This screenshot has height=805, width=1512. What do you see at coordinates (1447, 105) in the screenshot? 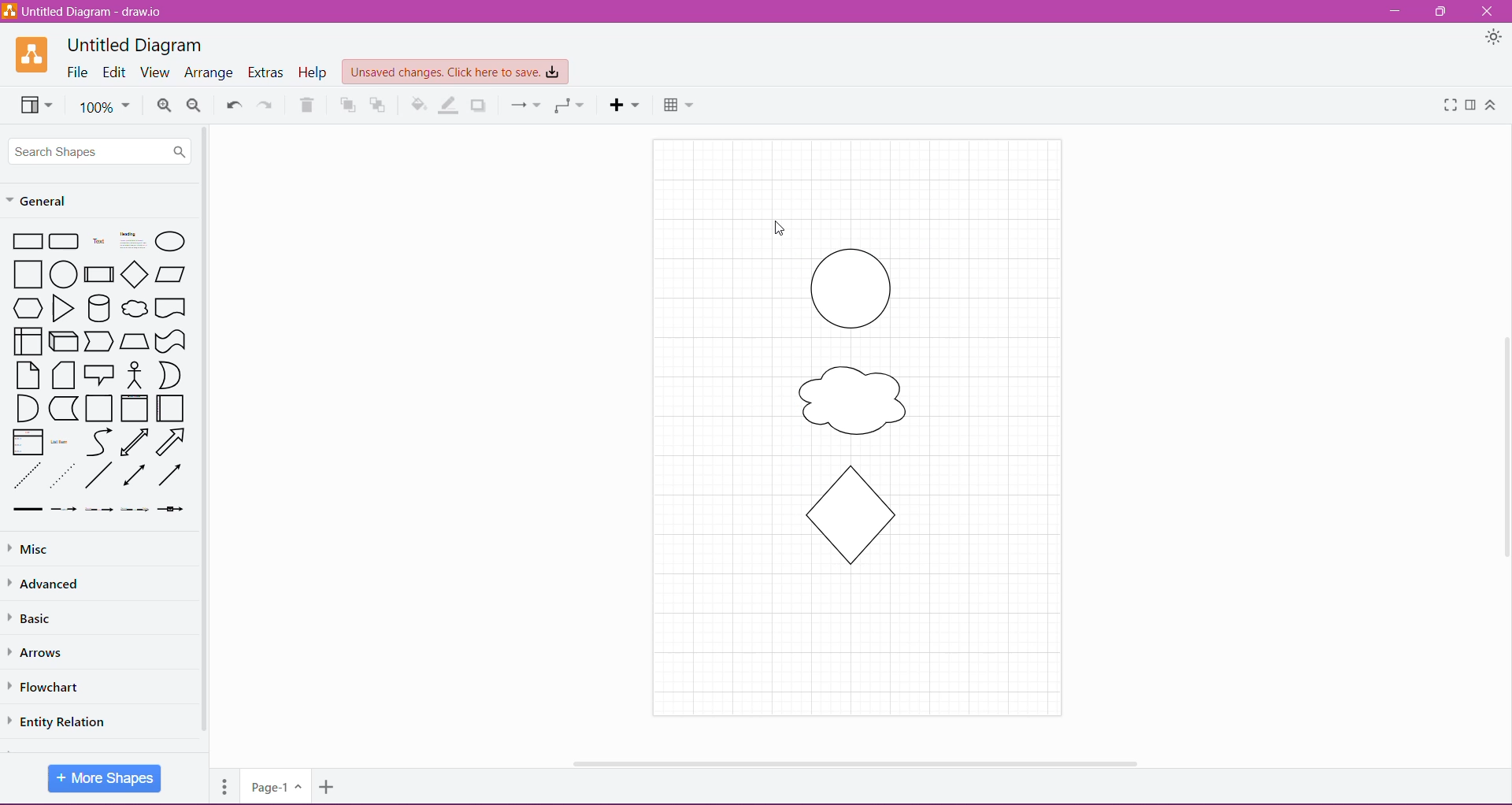
I see `Fullscreen` at bounding box center [1447, 105].